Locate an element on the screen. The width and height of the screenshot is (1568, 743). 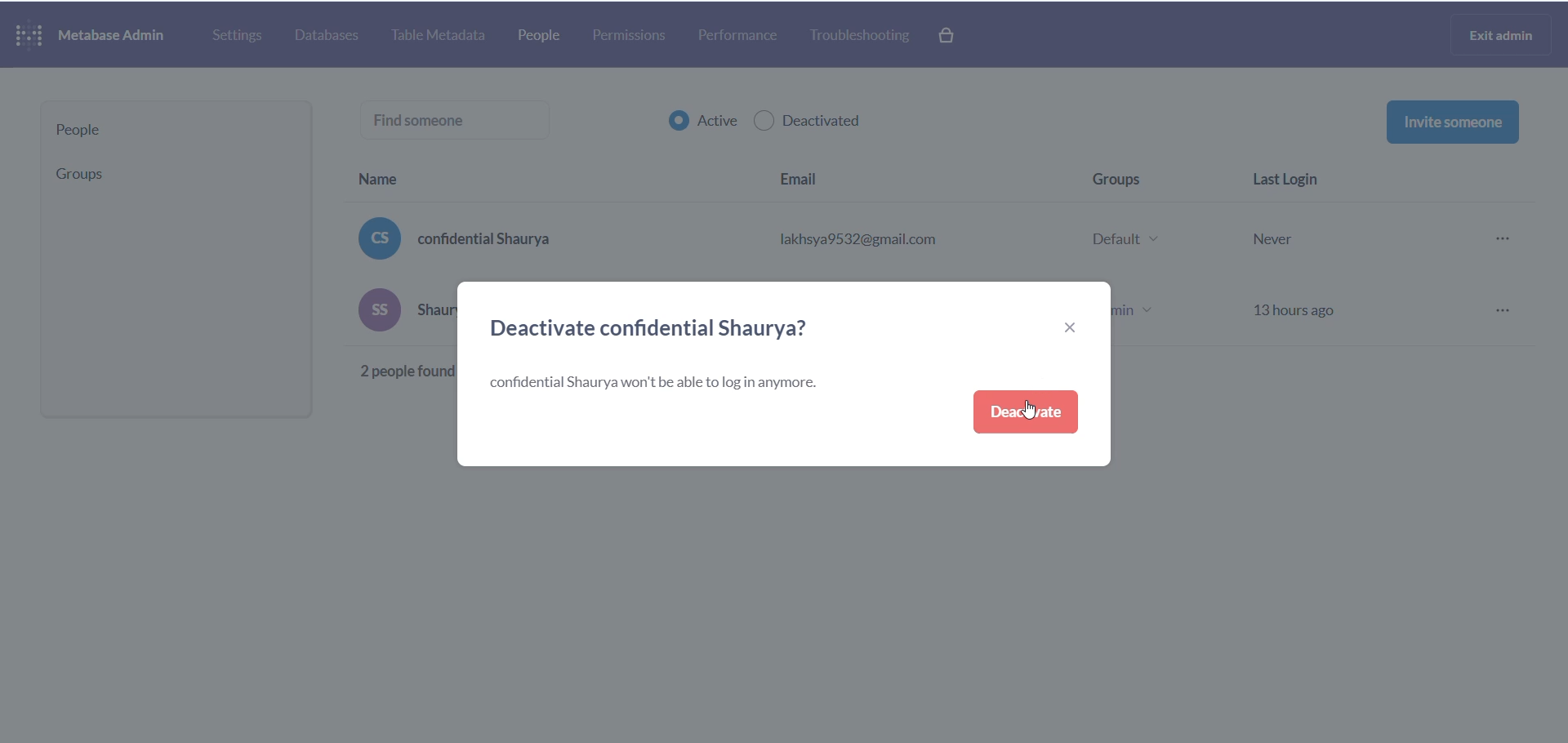
Default v is located at coordinates (1127, 240).